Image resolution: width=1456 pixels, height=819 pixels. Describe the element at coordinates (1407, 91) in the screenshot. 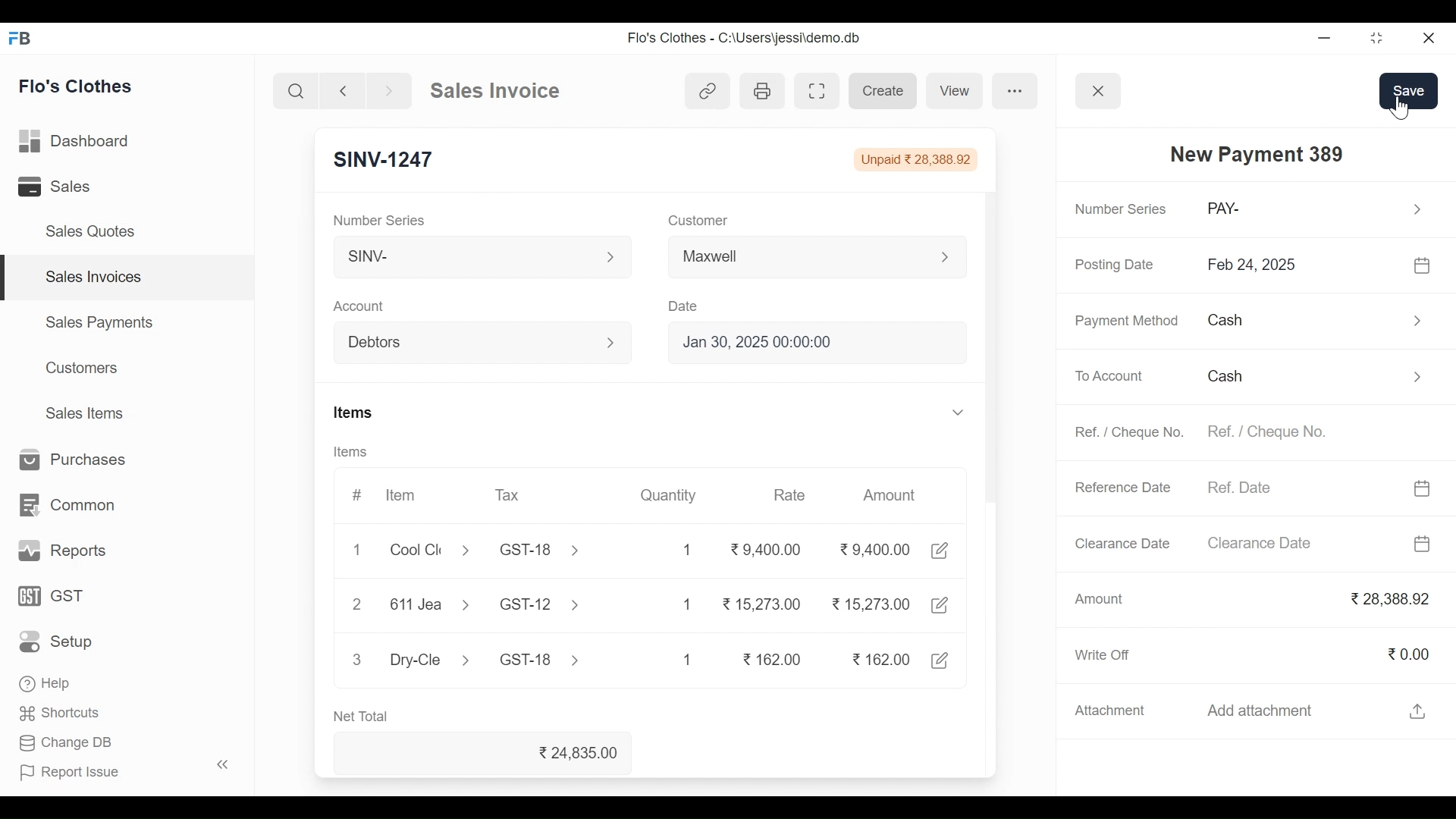

I see `Save` at that location.